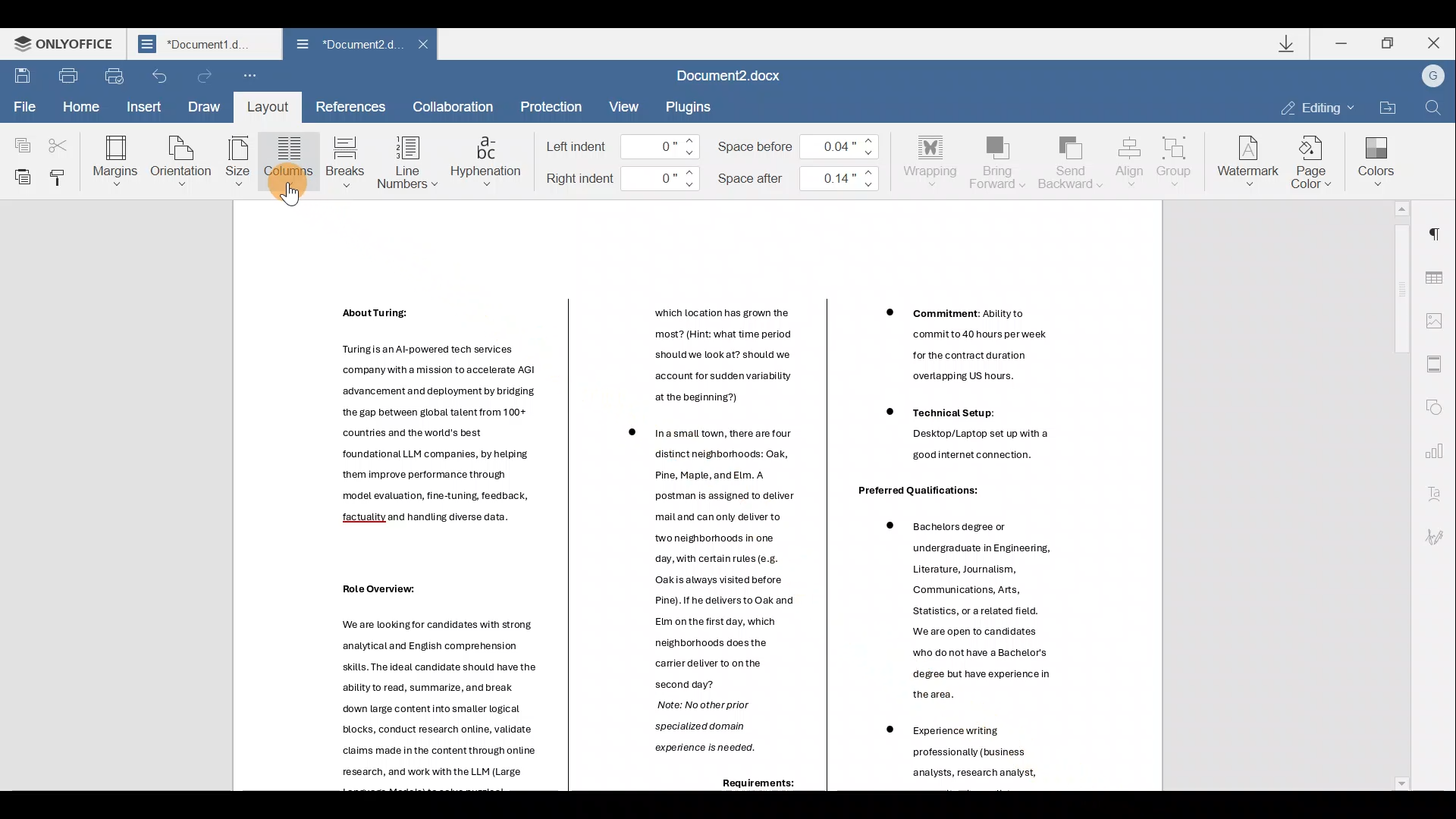 The image size is (1456, 819). I want to click on Print file, so click(67, 75).